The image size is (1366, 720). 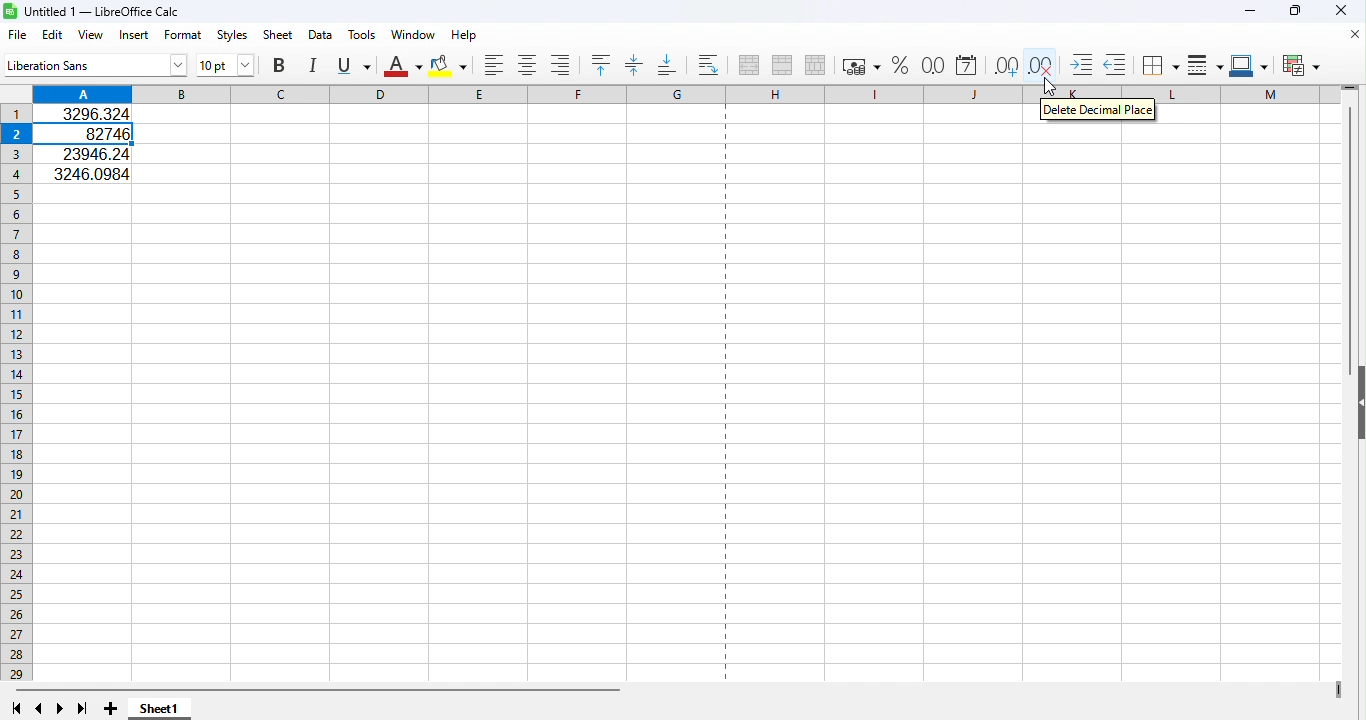 What do you see at coordinates (91, 154) in the screenshot?
I see `23946.24` at bounding box center [91, 154].